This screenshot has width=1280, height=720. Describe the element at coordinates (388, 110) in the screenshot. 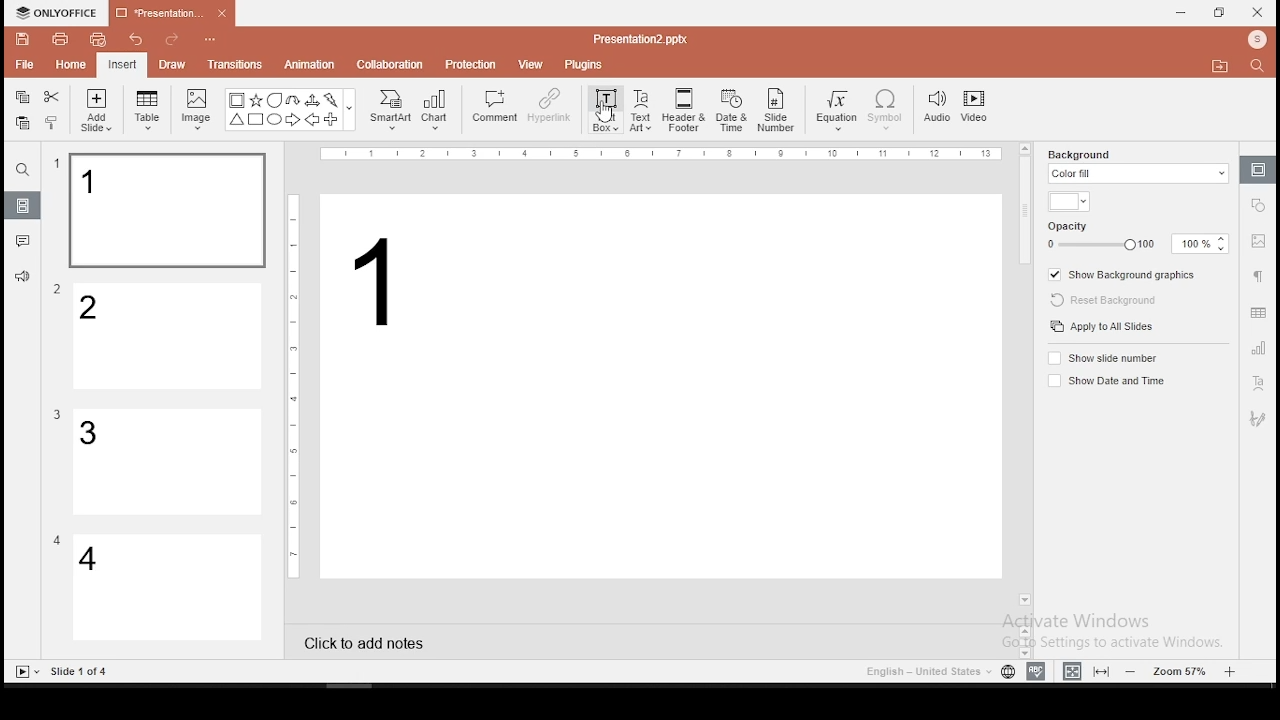

I see `smart` at that location.